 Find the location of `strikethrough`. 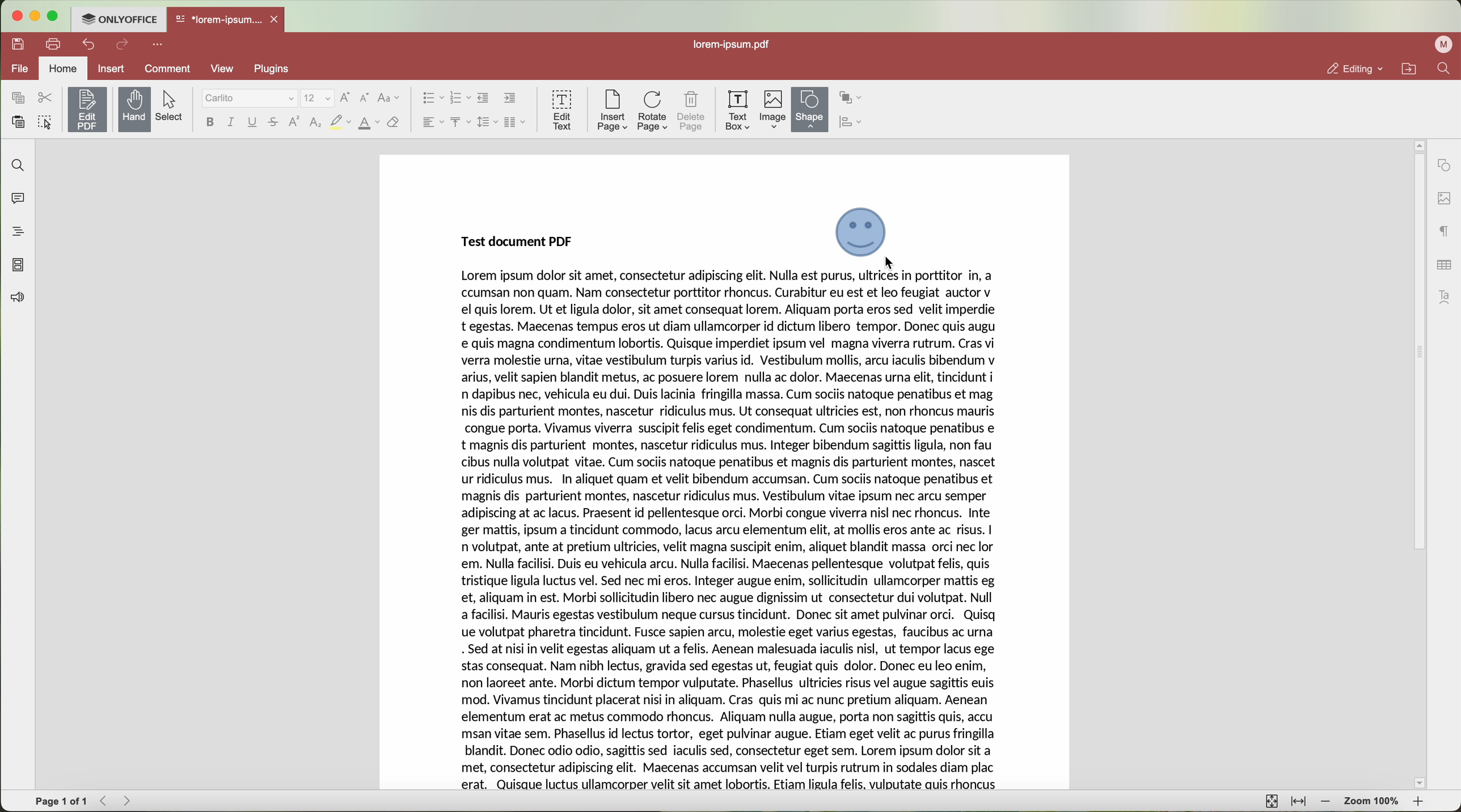

strikethrough is located at coordinates (275, 124).